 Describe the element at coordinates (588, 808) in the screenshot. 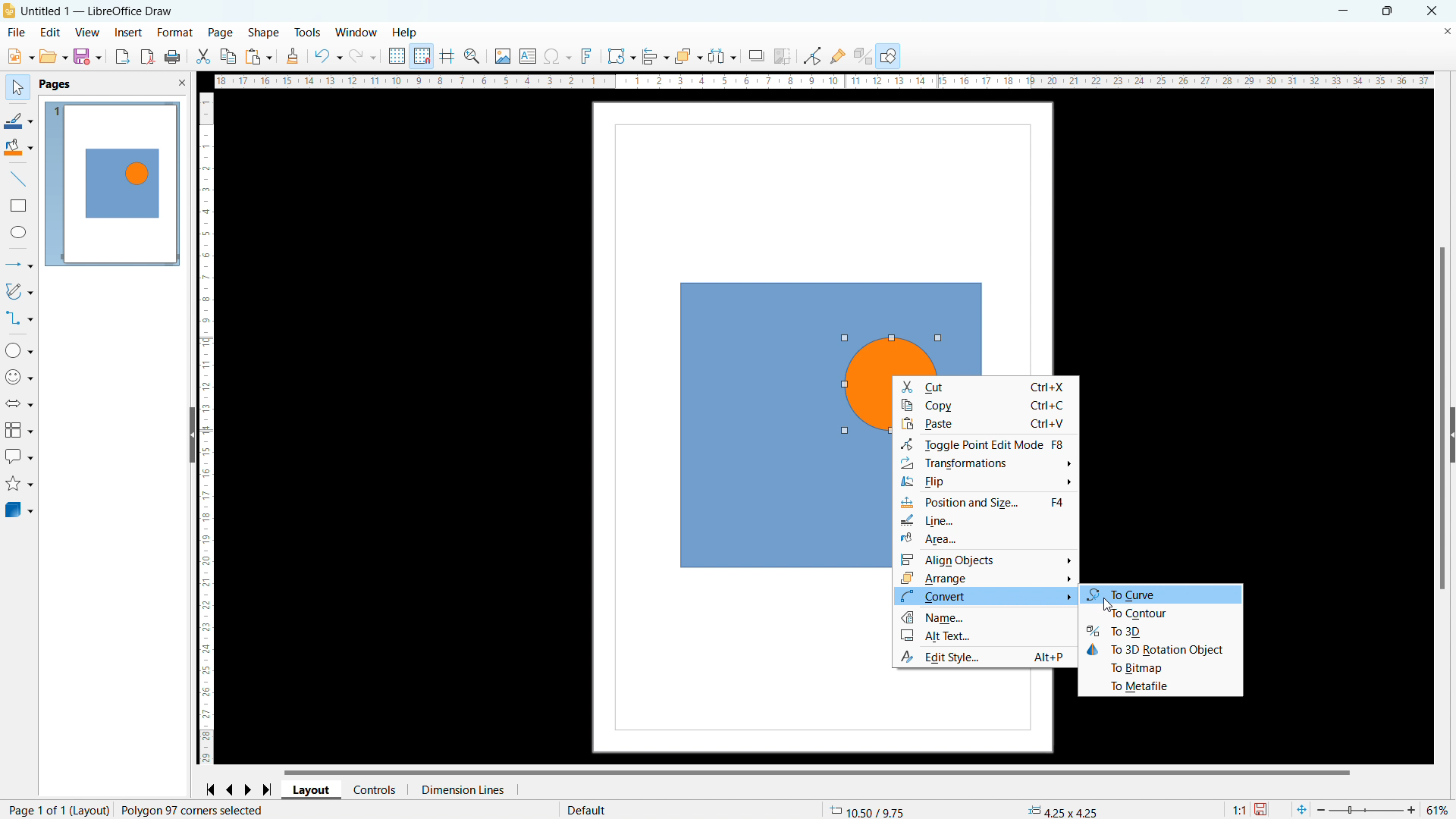

I see `default` at that location.